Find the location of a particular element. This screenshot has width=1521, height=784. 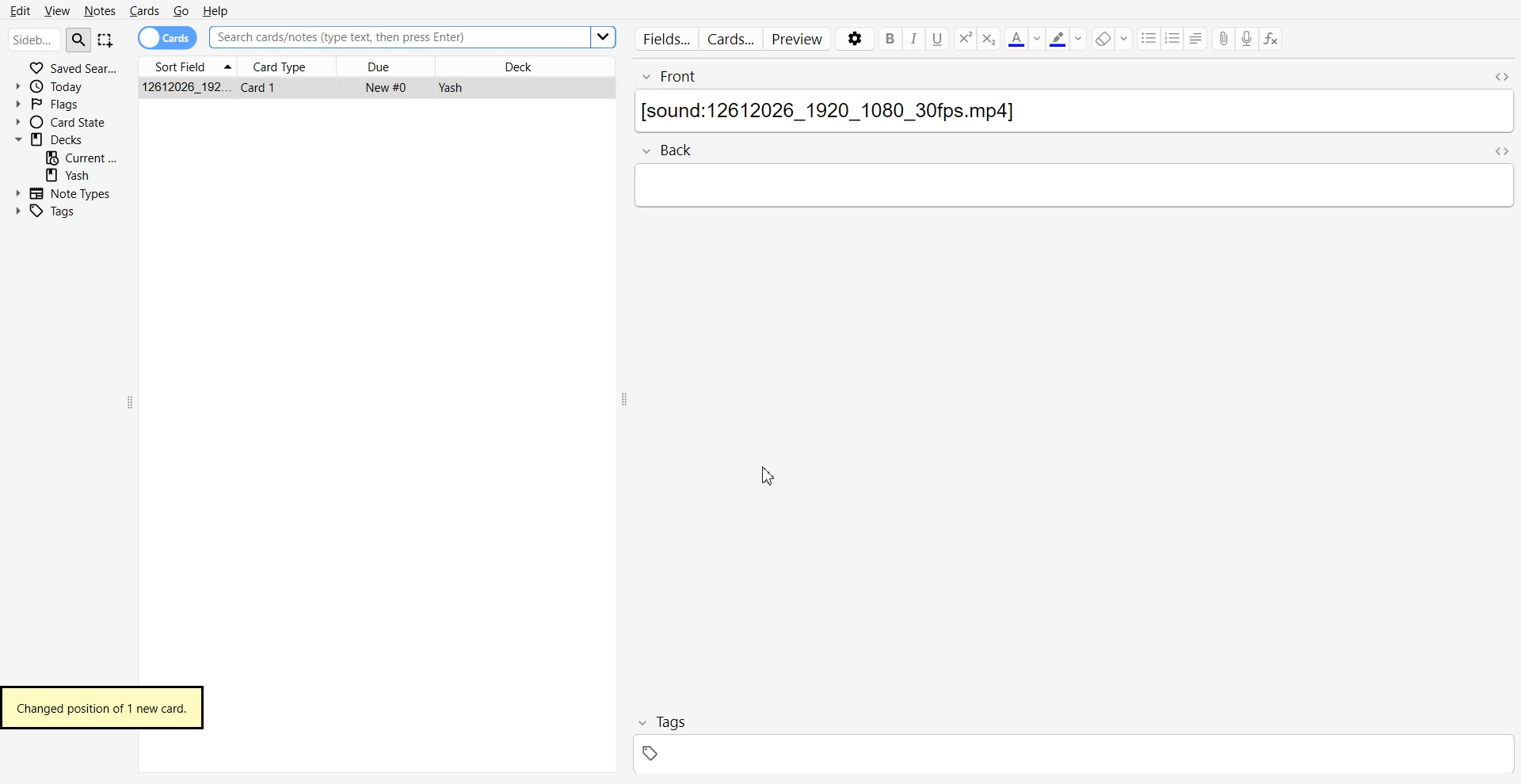

Back is located at coordinates (667, 150).